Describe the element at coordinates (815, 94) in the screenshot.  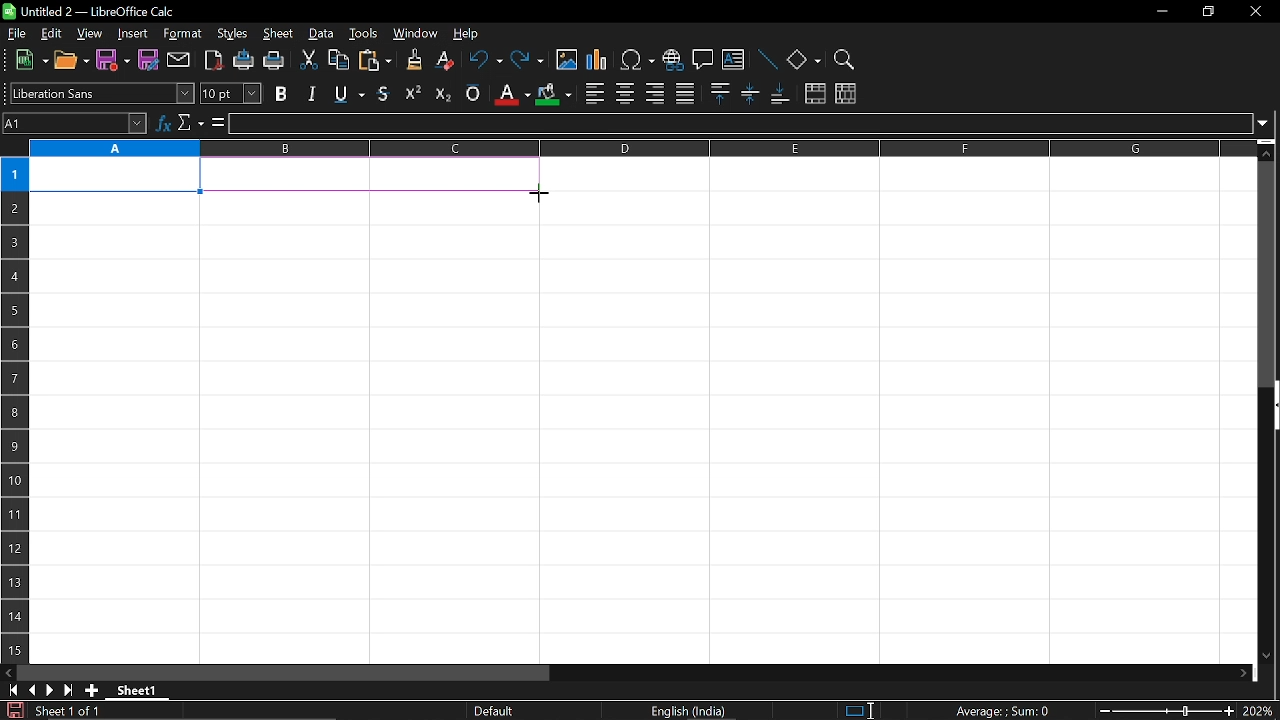
I see `merge cells` at that location.